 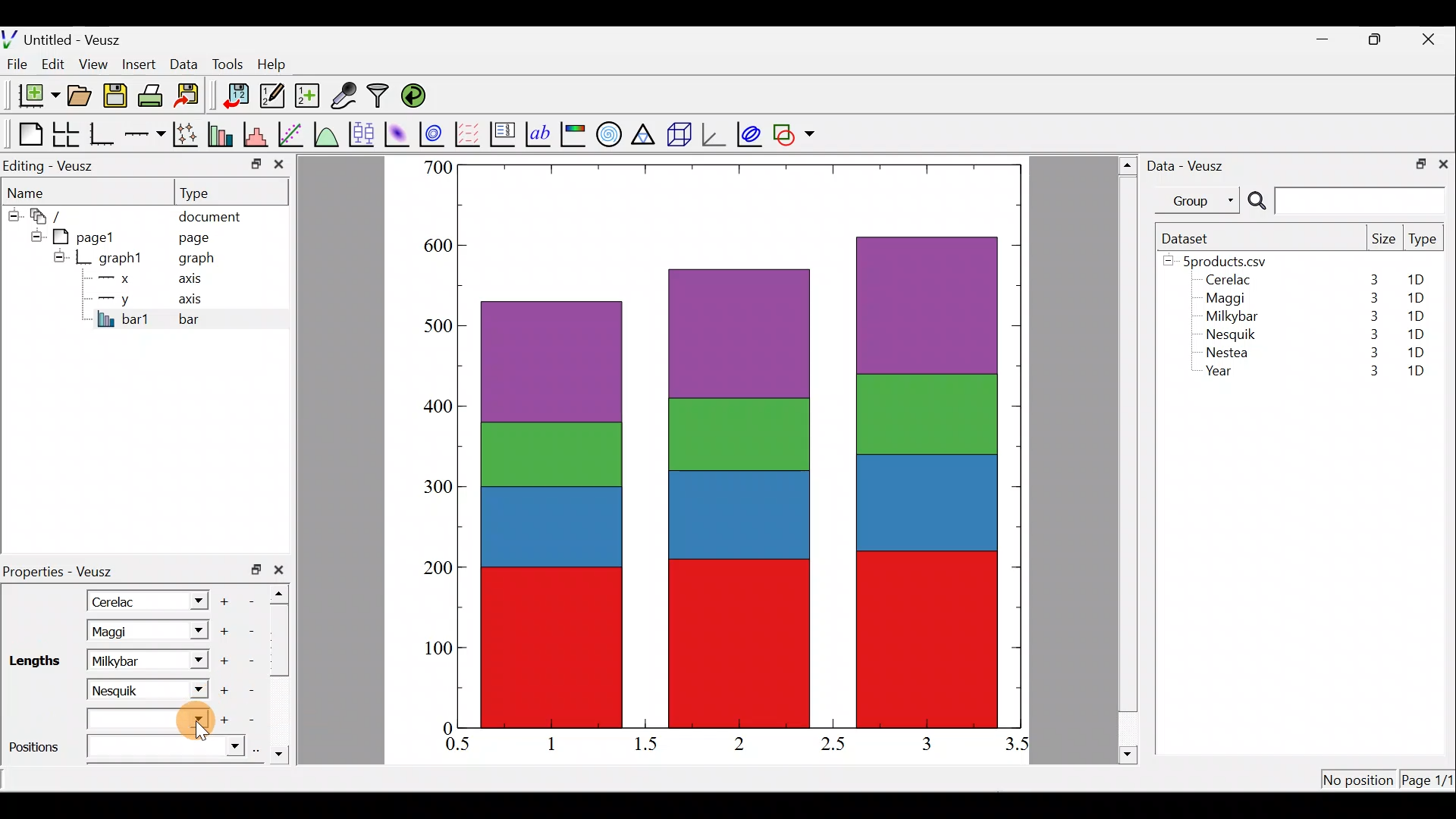 What do you see at coordinates (223, 691) in the screenshot?
I see `Add another item` at bounding box center [223, 691].